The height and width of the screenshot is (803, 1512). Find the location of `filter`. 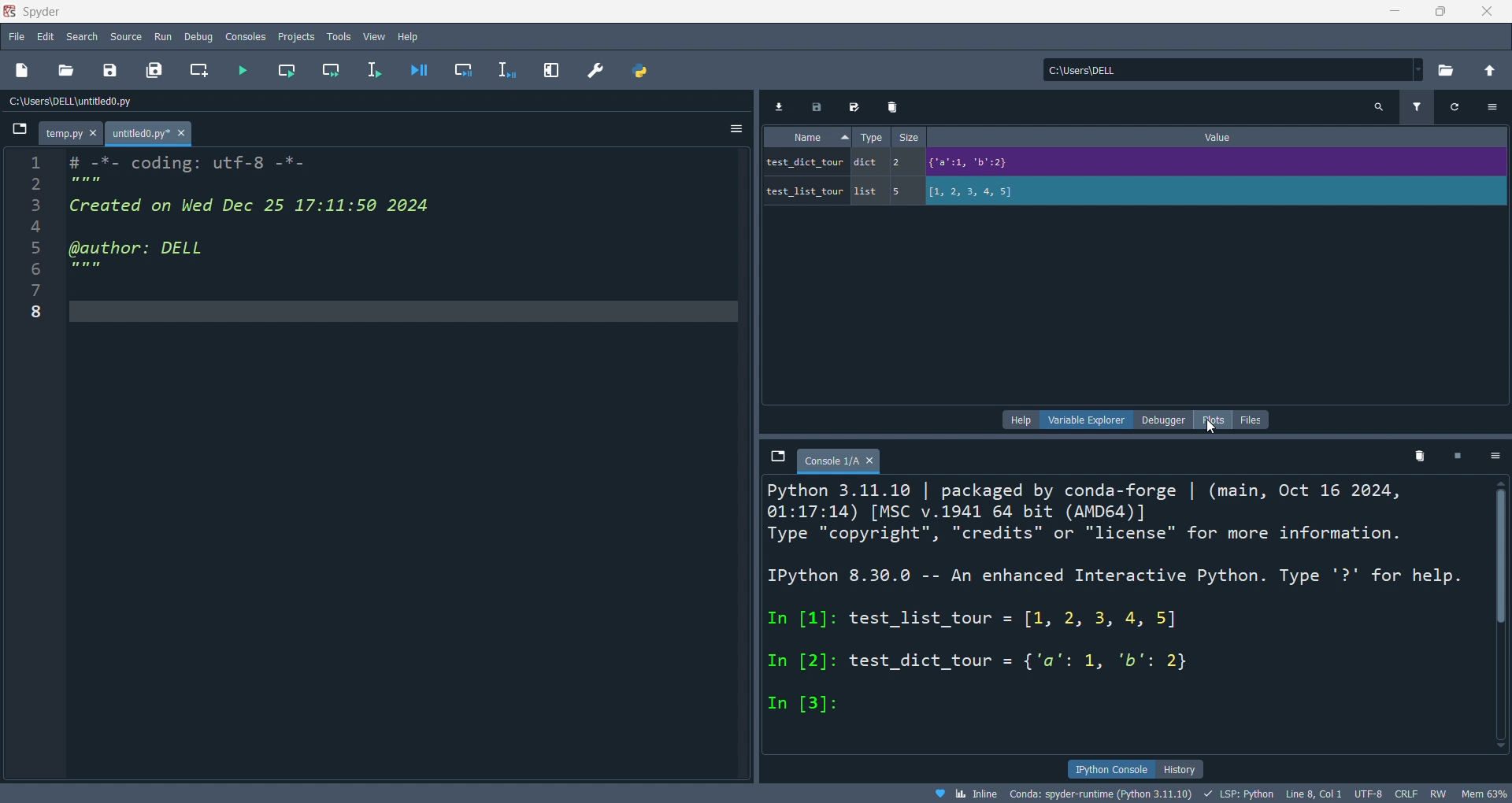

filter is located at coordinates (1414, 106).